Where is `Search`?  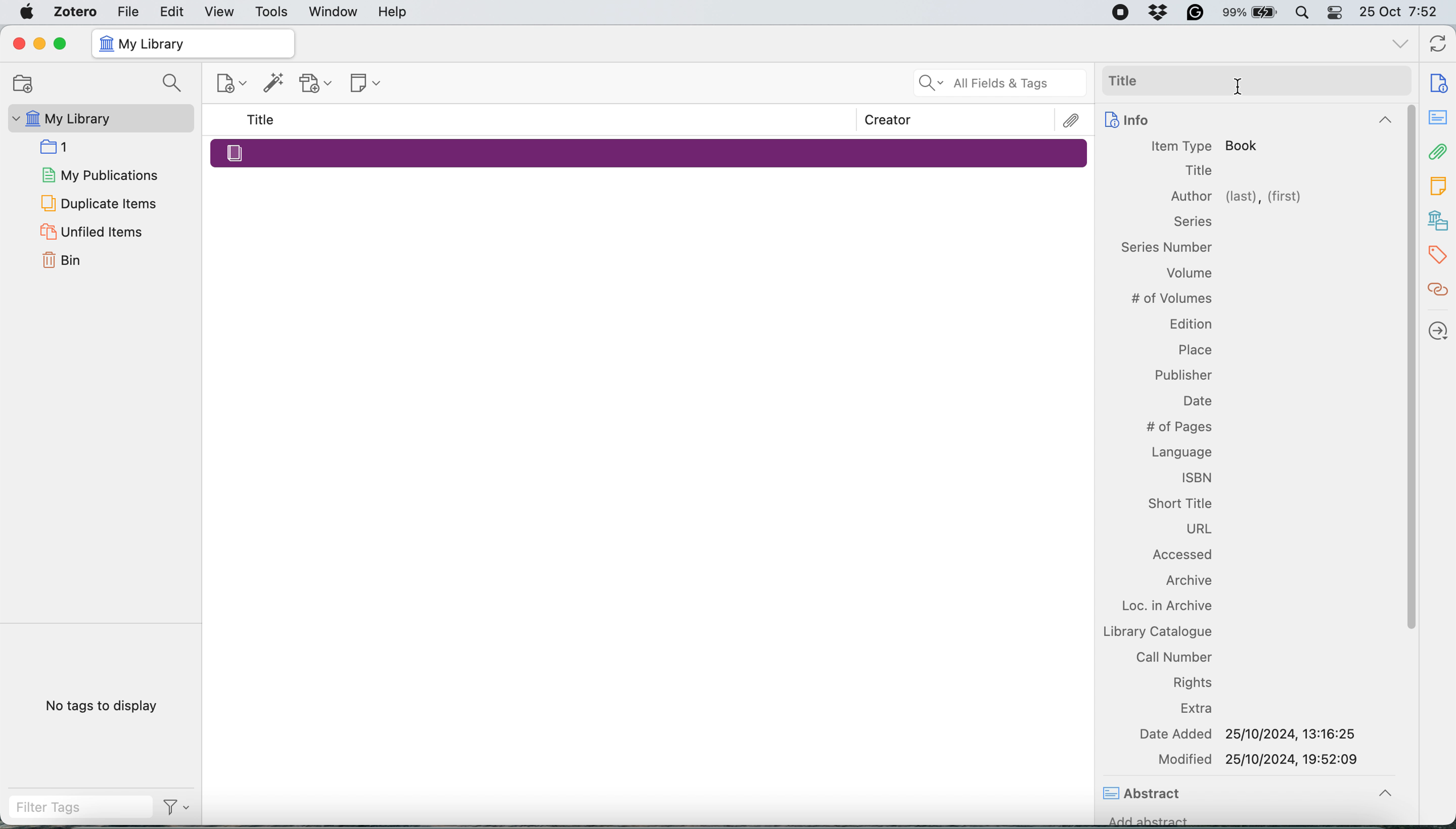
Search is located at coordinates (175, 84).